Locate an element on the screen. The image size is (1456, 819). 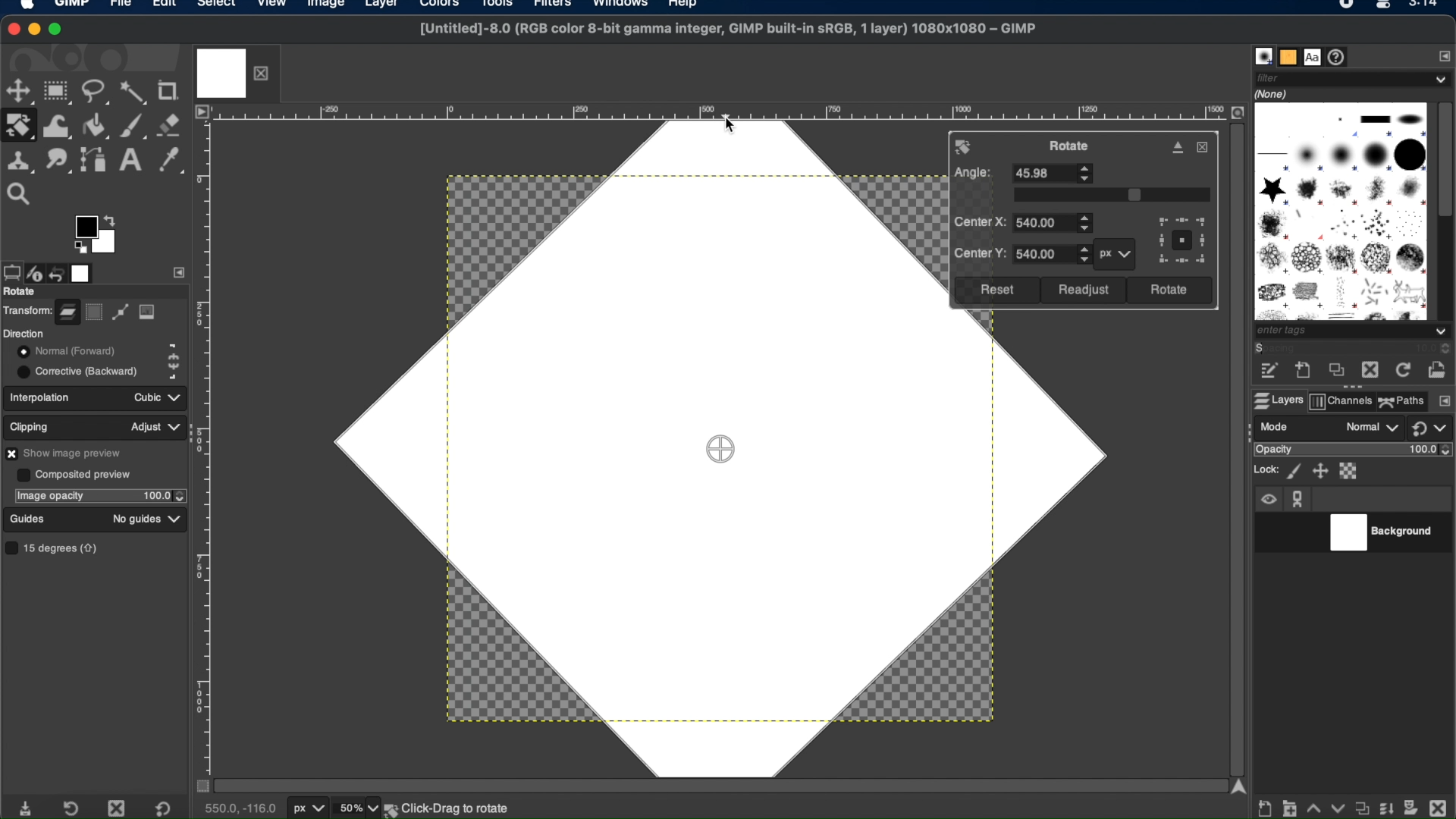
apple logo is located at coordinates (26, 8).